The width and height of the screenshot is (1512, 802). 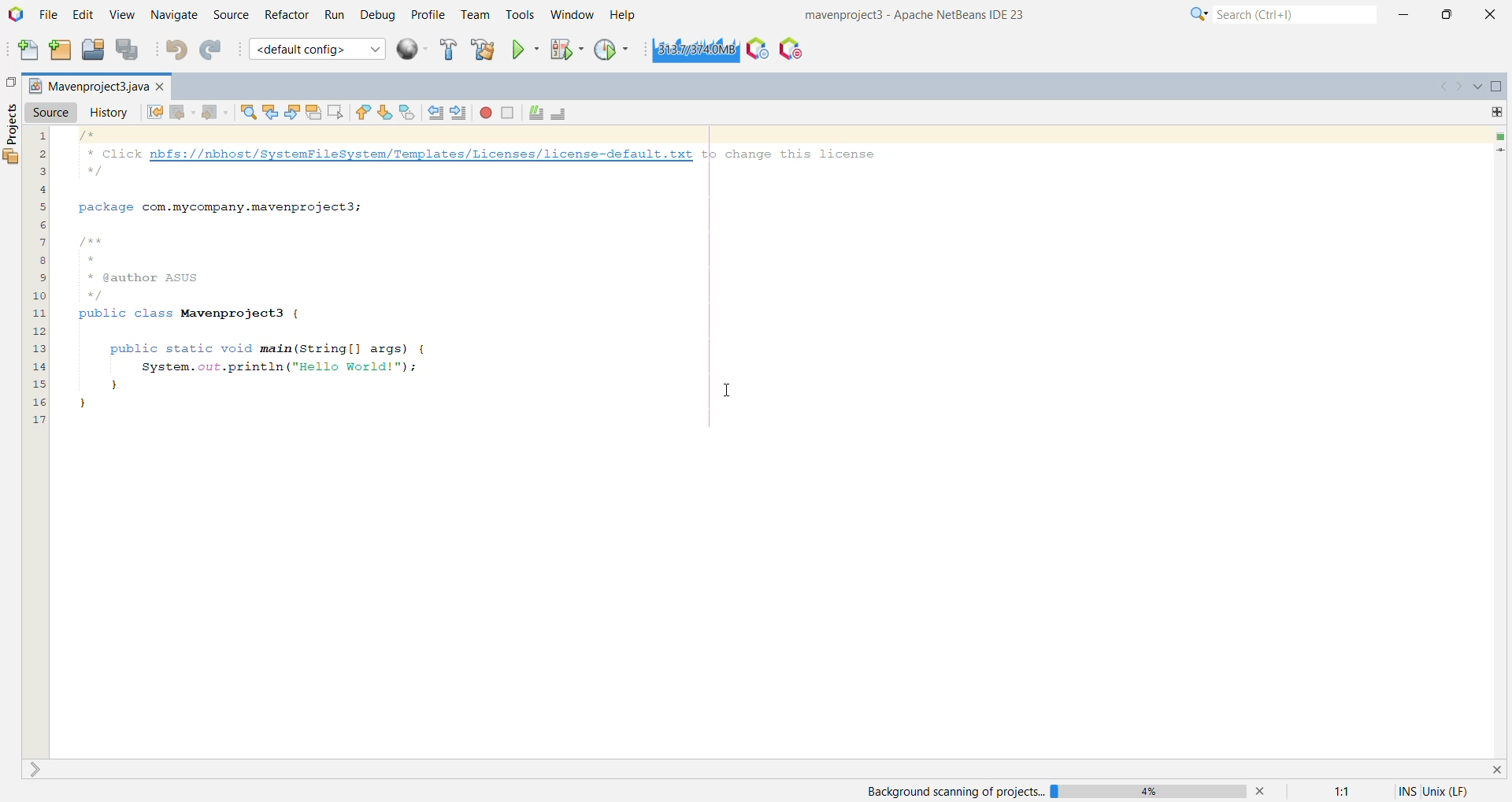 I want to click on Next Bookmark, so click(x=385, y=113).